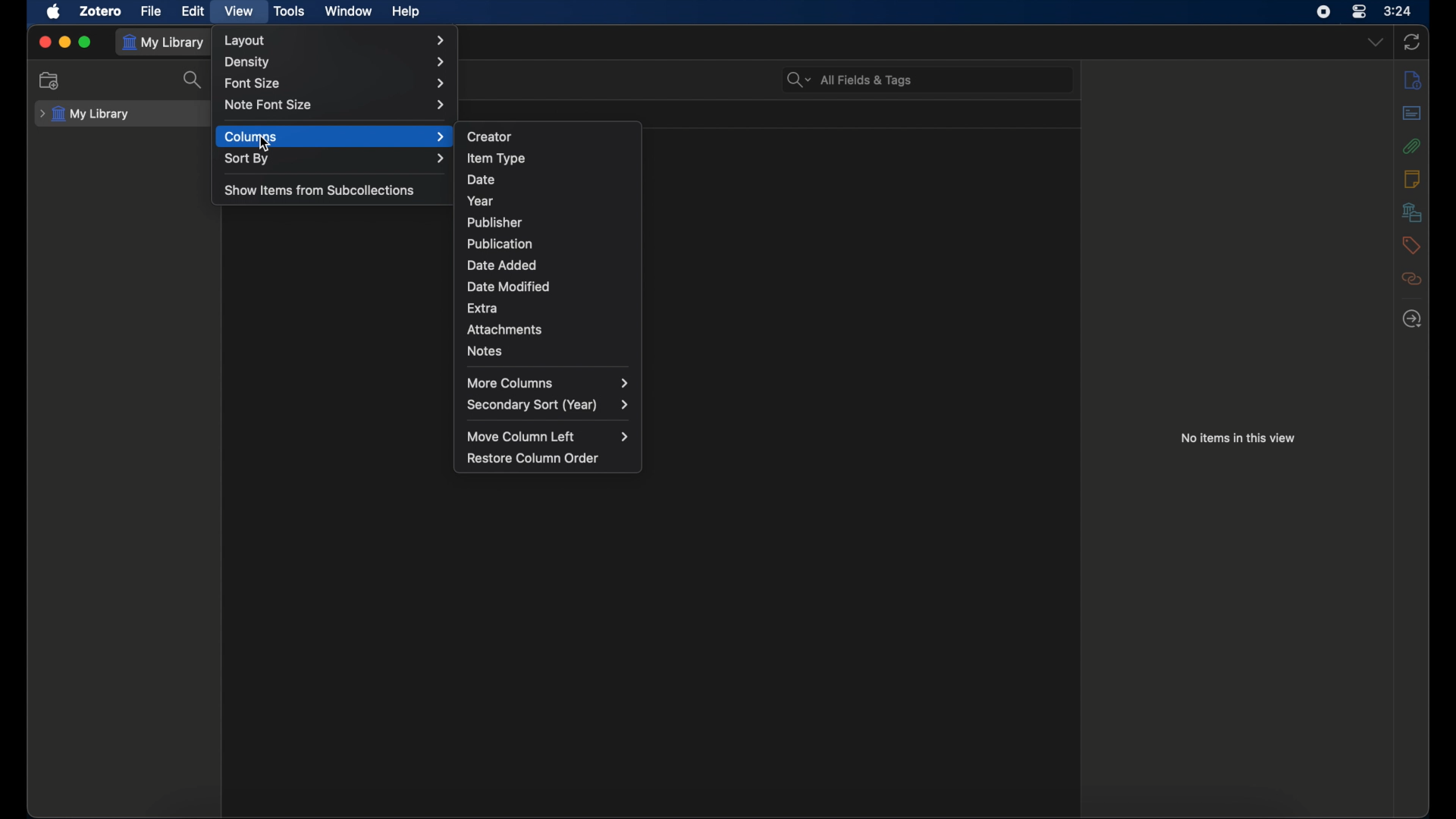 The height and width of the screenshot is (819, 1456). What do you see at coordinates (497, 158) in the screenshot?
I see `item type` at bounding box center [497, 158].